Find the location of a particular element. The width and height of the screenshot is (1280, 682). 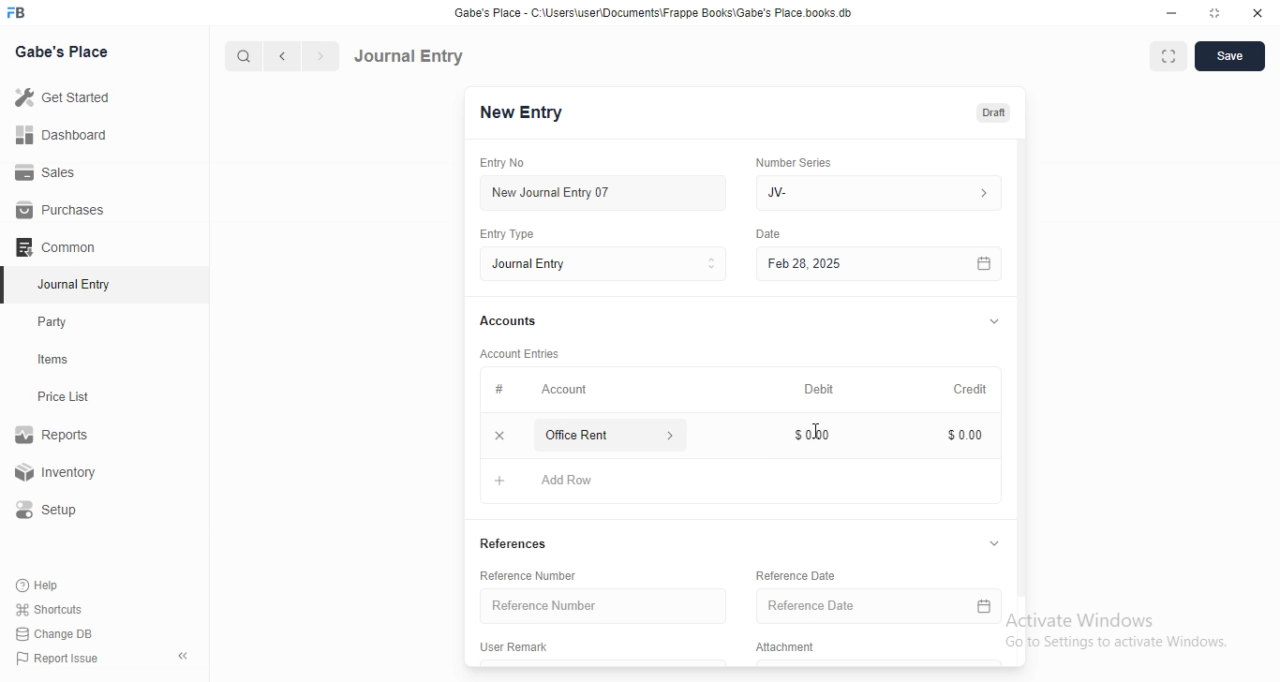

Entry Type is located at coordinates (509, 234).